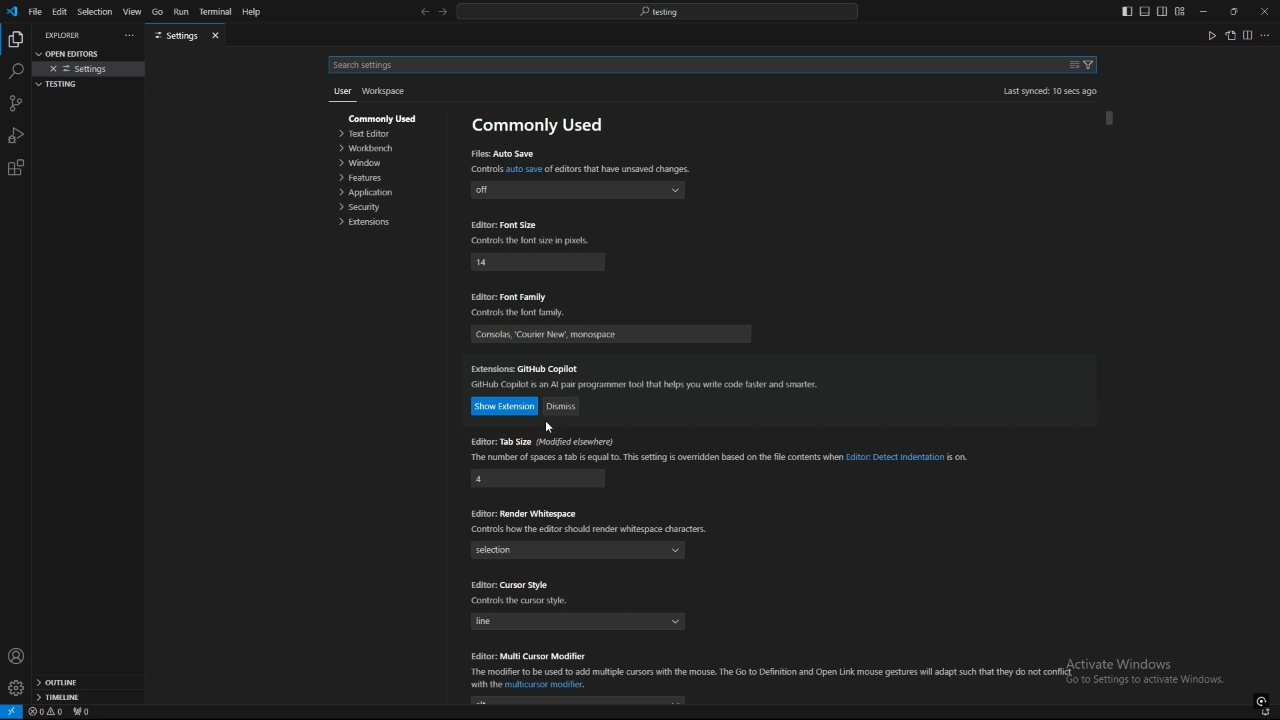 The image size is (1280, 720). I want to click on search, so click(15, 72).